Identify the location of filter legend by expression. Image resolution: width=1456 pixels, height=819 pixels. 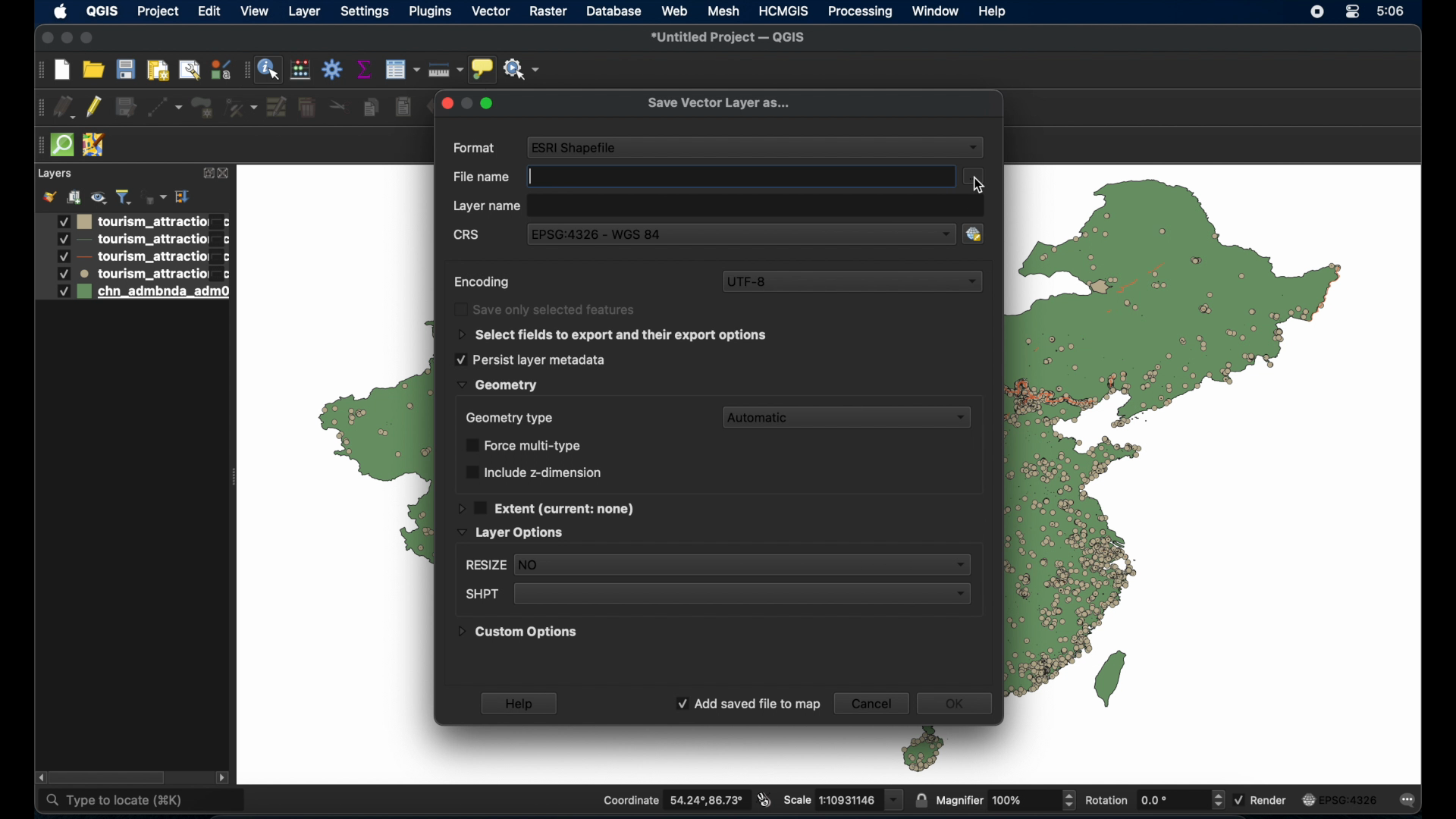
(154, 195).